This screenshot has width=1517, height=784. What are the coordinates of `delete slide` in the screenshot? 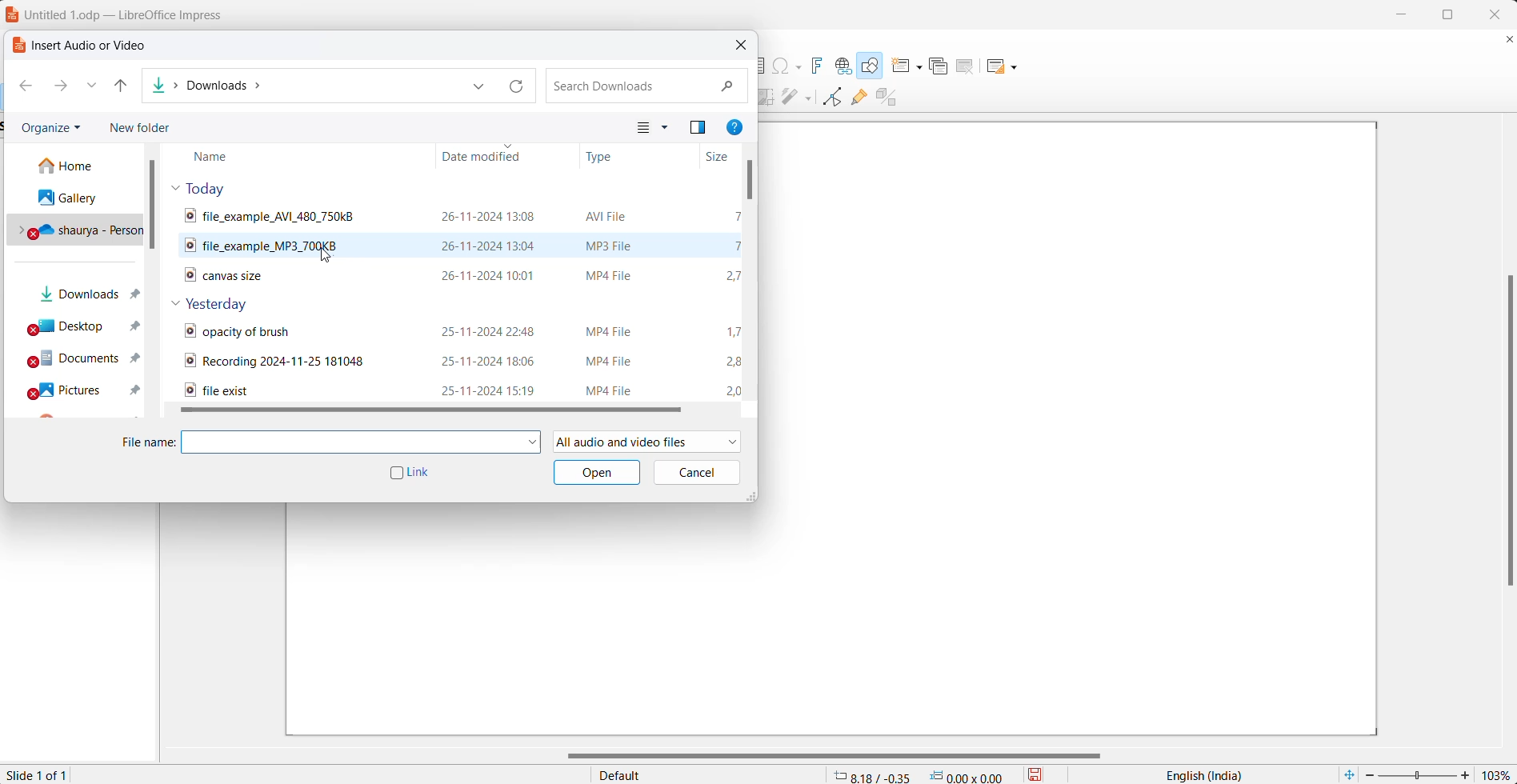 It's located at (969, 66).